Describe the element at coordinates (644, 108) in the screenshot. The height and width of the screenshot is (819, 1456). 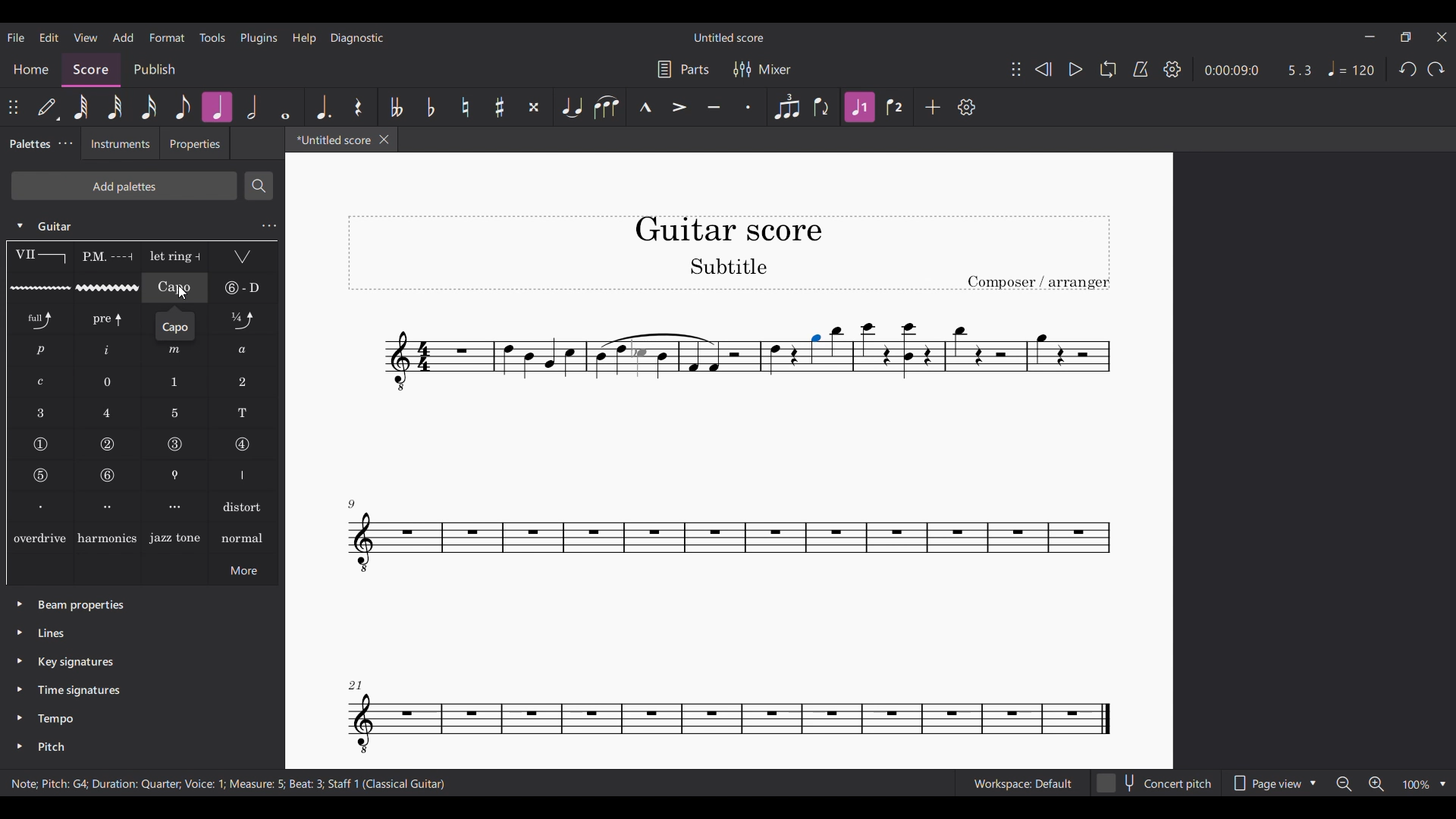
I see `Marcato` at that location.